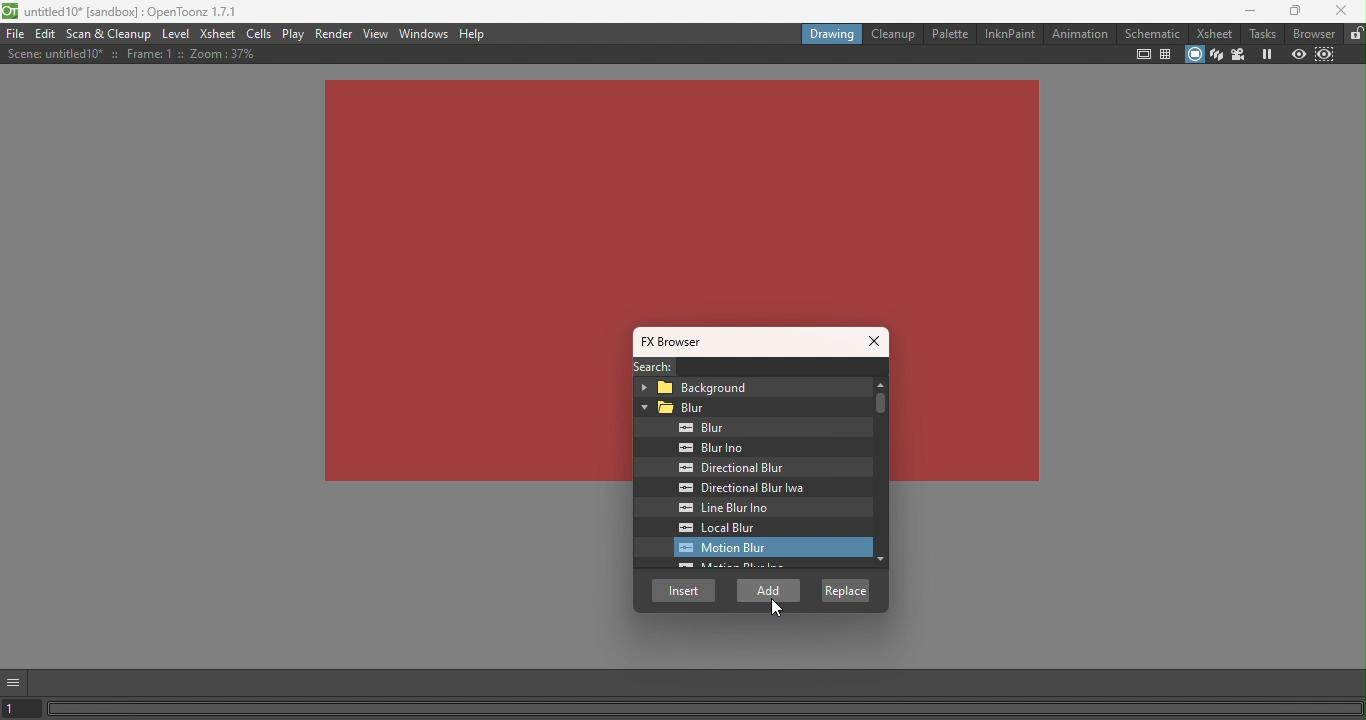 Image resolution: width=1366 pixels, height=720 pixels. I want to click on Animation, so click(1078, 34).